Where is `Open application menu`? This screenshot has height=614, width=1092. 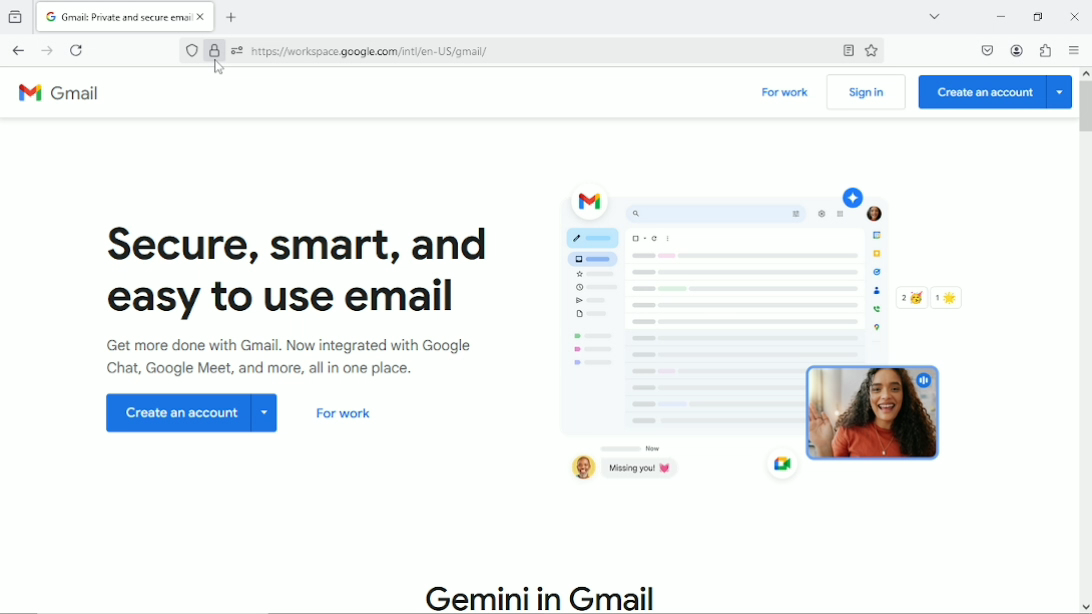
Open application menu is located at coordinates (1074, 49).